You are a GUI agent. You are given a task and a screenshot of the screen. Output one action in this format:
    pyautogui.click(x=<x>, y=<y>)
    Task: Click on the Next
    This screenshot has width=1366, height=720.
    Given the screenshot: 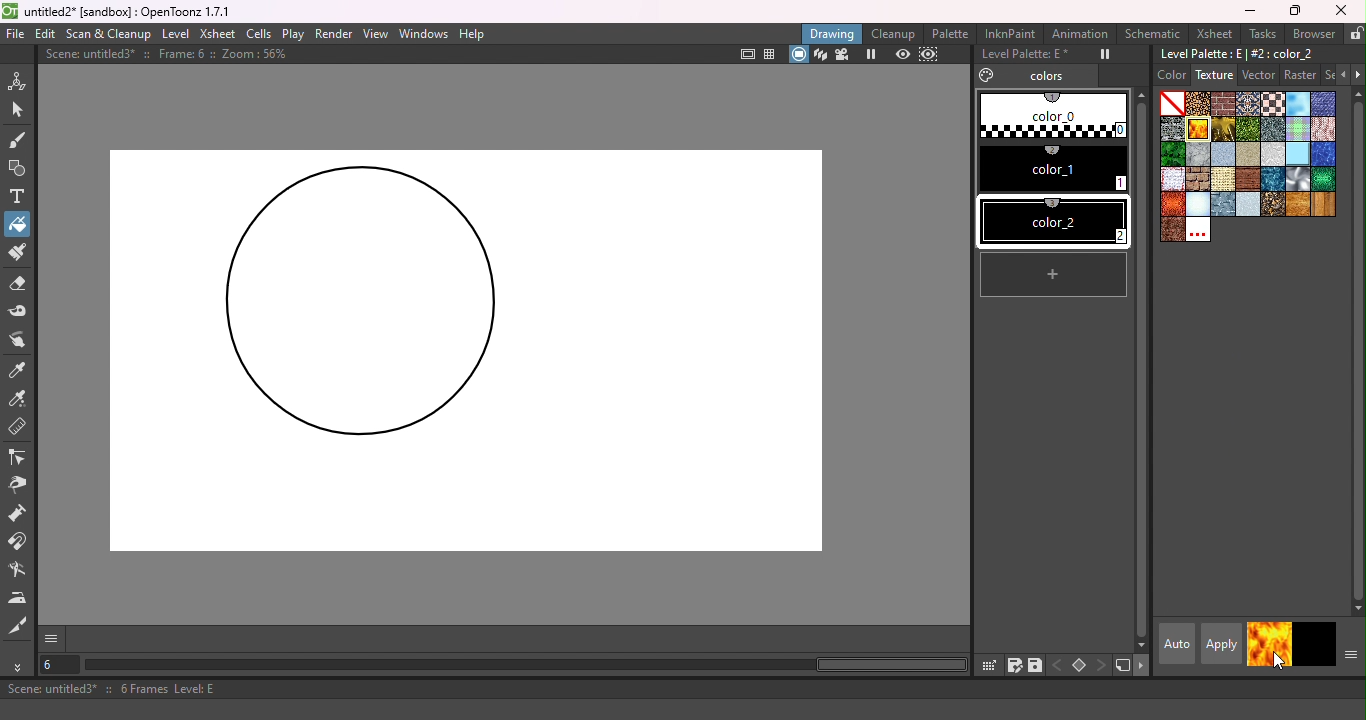 What is the action you would take?
    pyautogui.click(x=1357, y=75)
    